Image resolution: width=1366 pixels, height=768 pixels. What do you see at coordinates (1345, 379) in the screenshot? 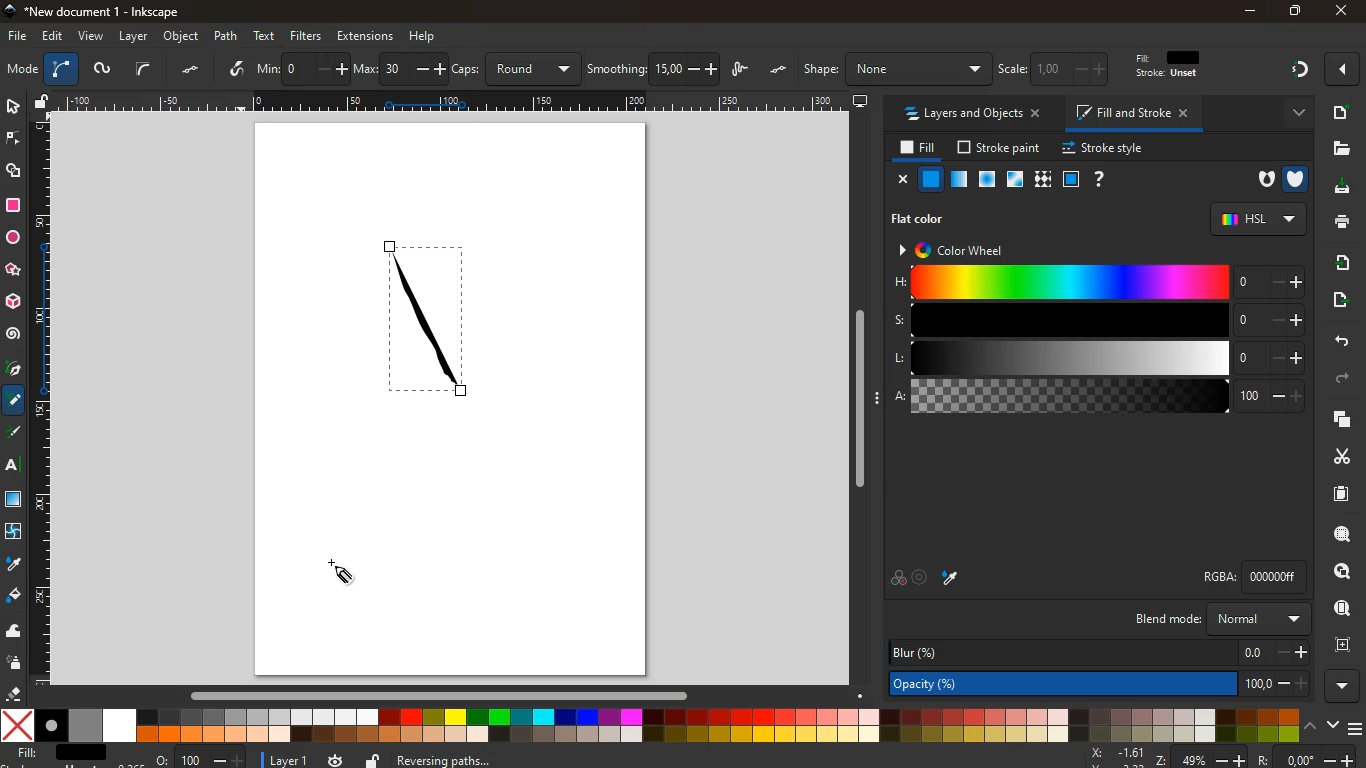
I see `forward` at bounding box center [1345, 379].